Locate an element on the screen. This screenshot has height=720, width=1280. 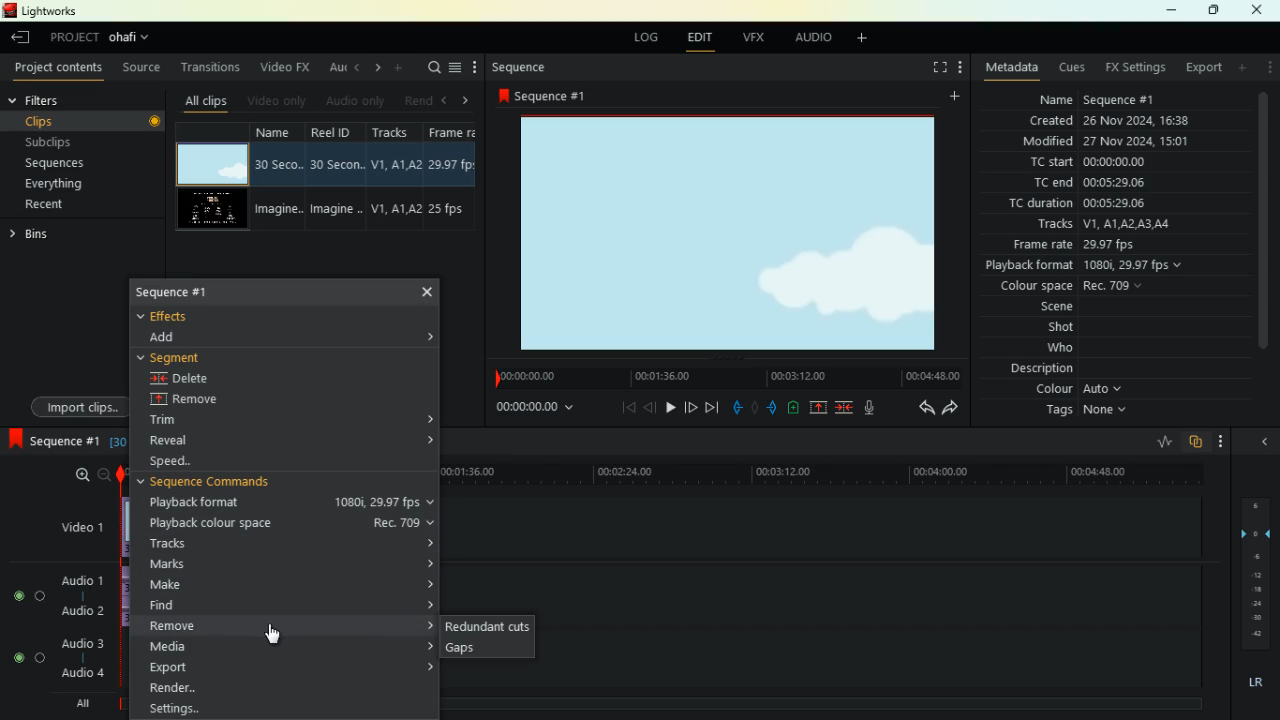
source is located at coordinates (144, 67).